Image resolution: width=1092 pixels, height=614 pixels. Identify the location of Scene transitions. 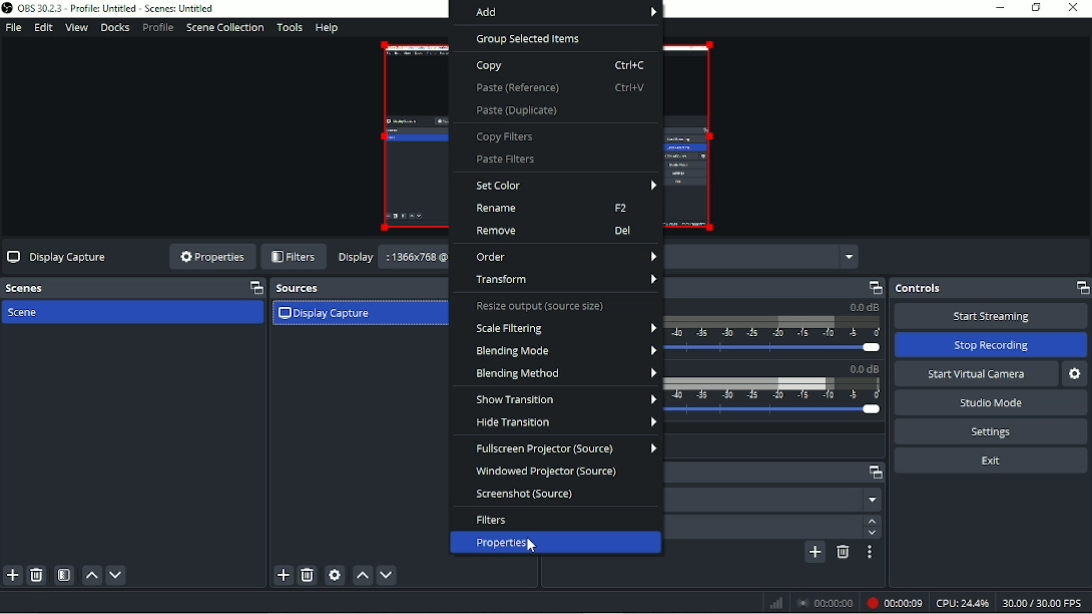
(778, 473).